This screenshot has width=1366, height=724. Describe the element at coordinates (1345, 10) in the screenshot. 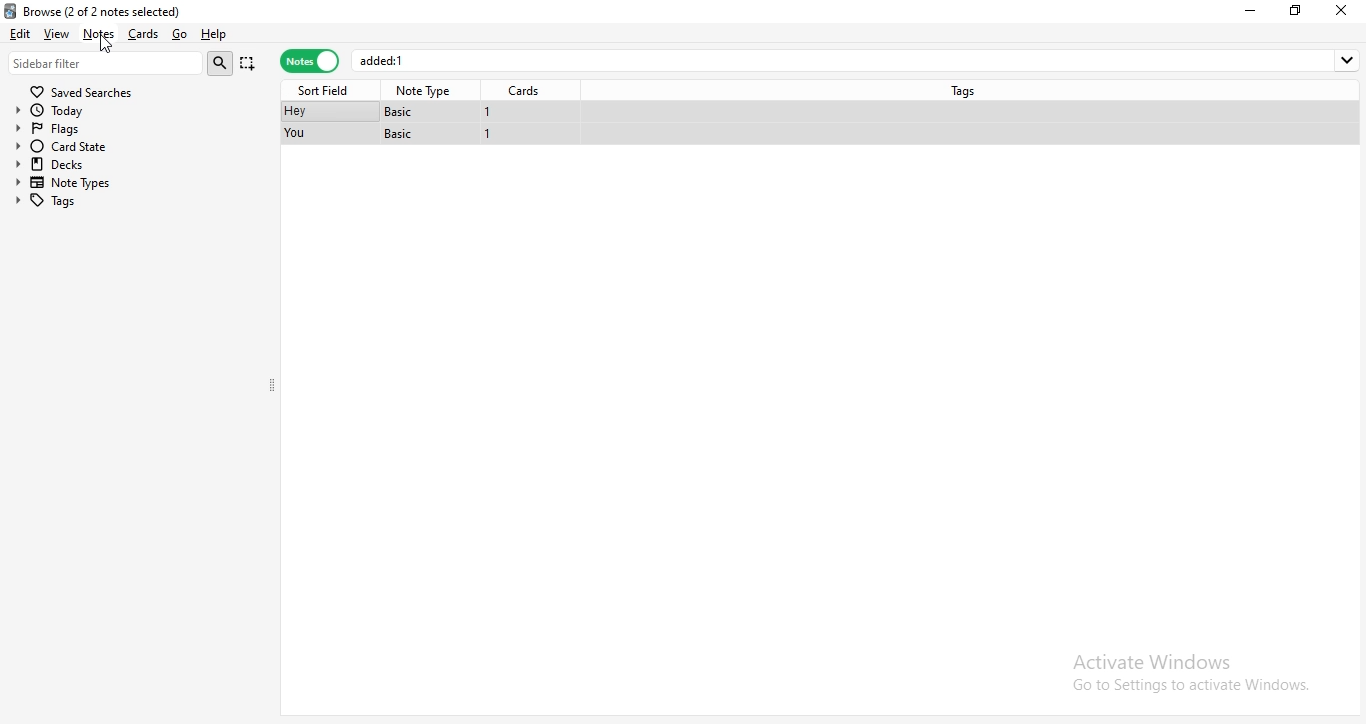

I see `close` at that location.